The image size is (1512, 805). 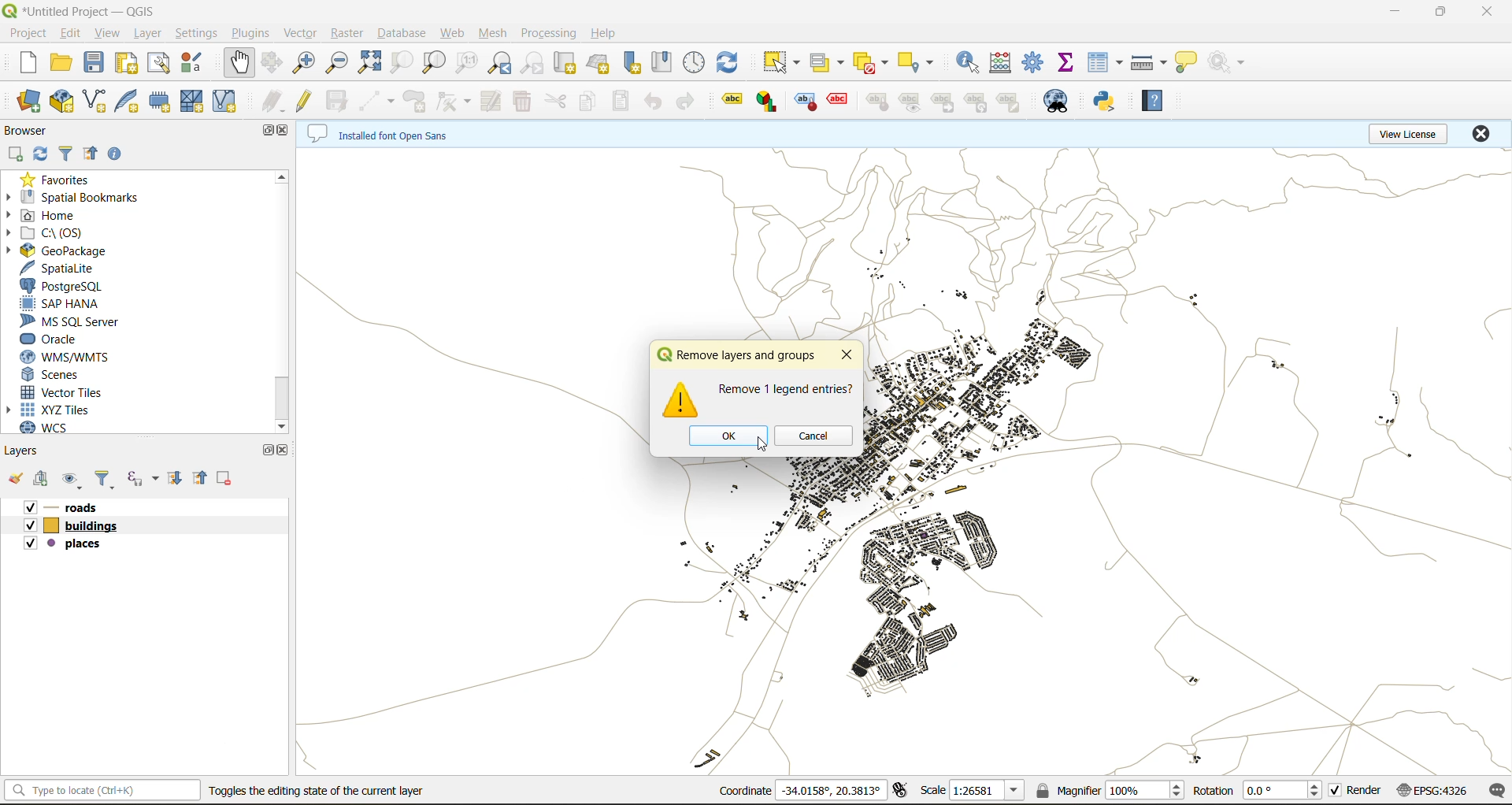 What do you see at coordinates (1436, 789) in the screenshot?
I see `crs` at bounding box center [1436, 789].